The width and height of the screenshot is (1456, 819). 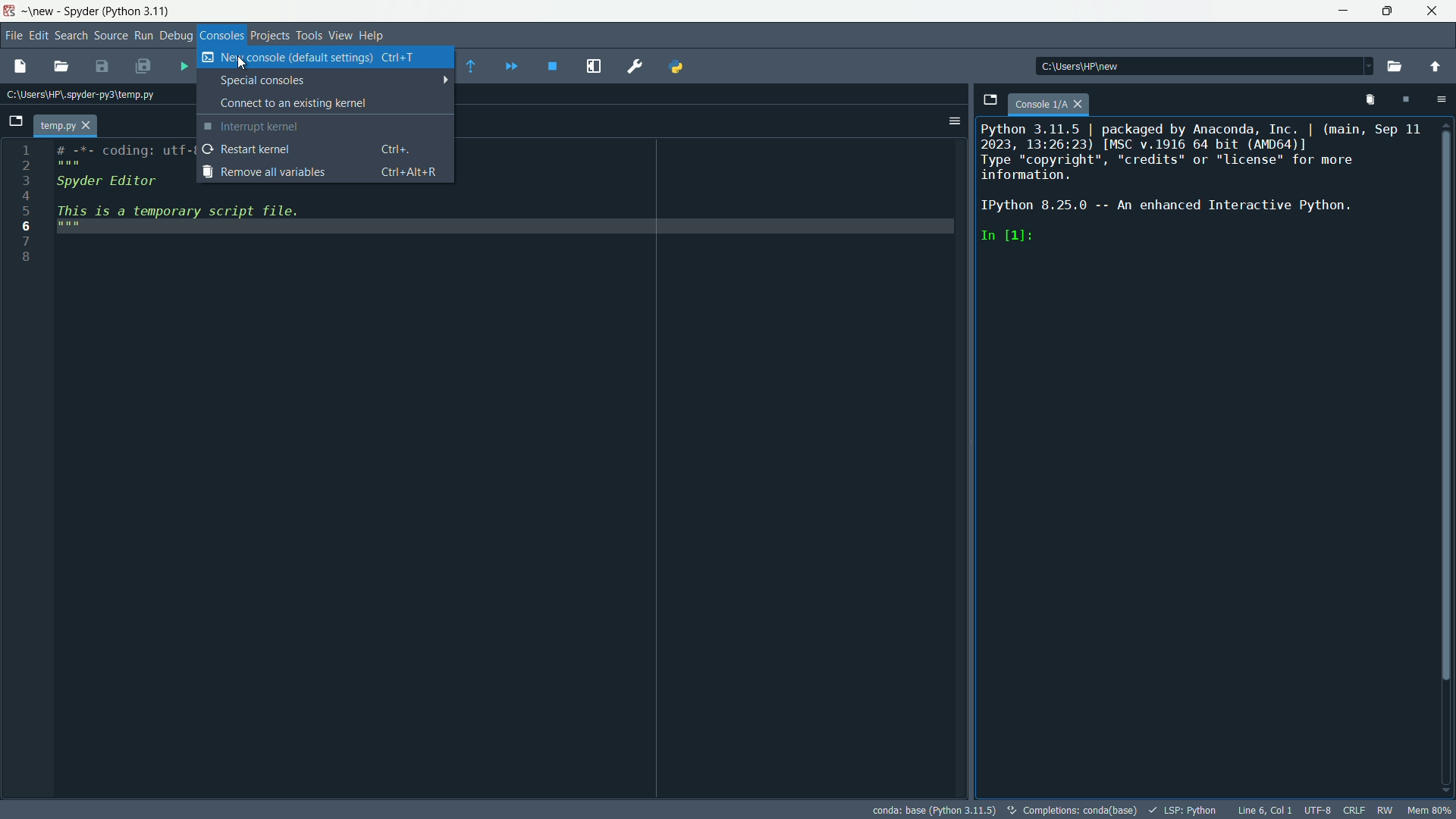 What do you see at coordinates (11, 11) in the screenshot?
I see `app icon` at bounding box center [11, 11].